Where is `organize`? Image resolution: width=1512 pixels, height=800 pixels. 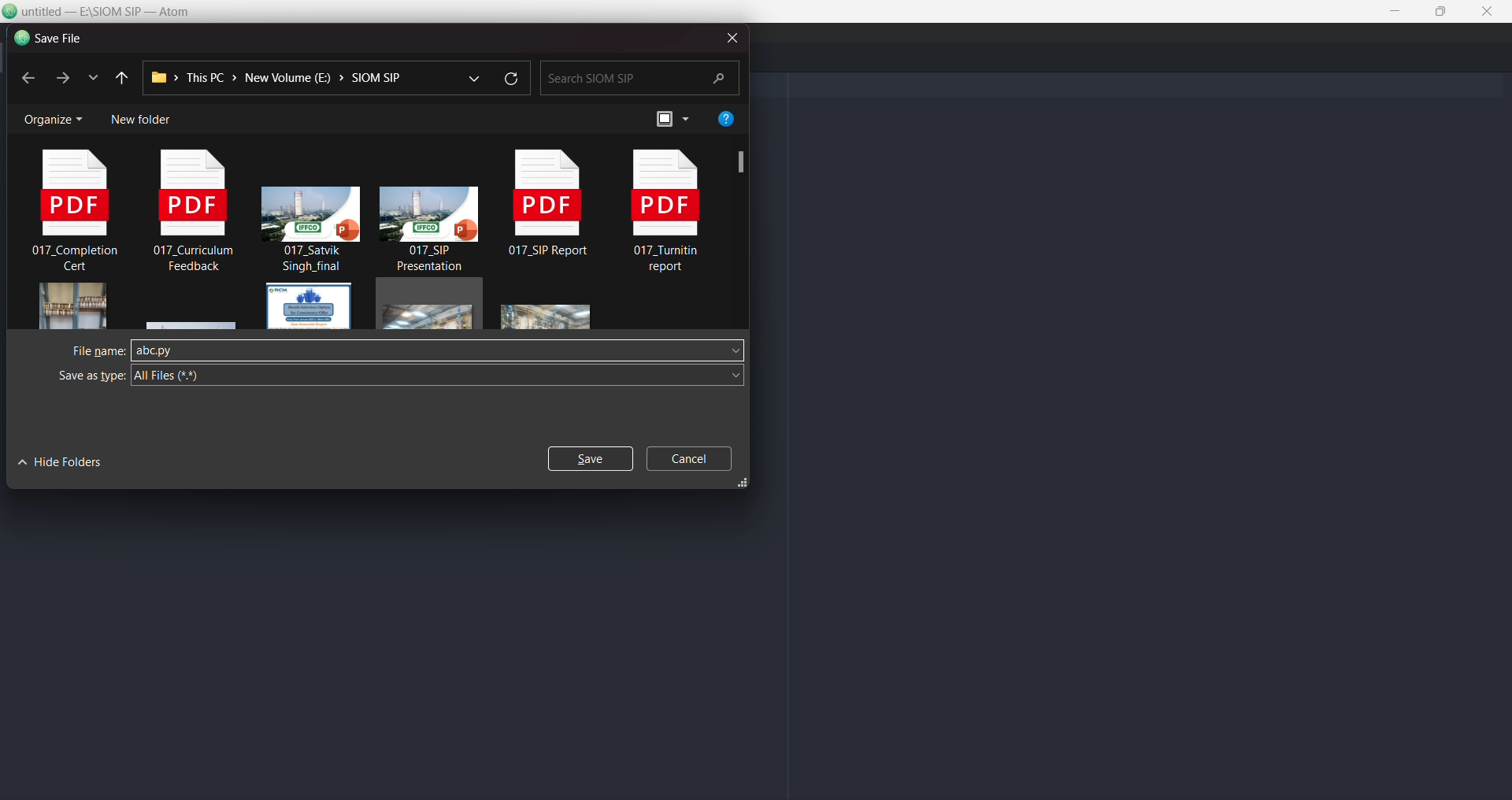
organize is located at coordinates (54, 120).